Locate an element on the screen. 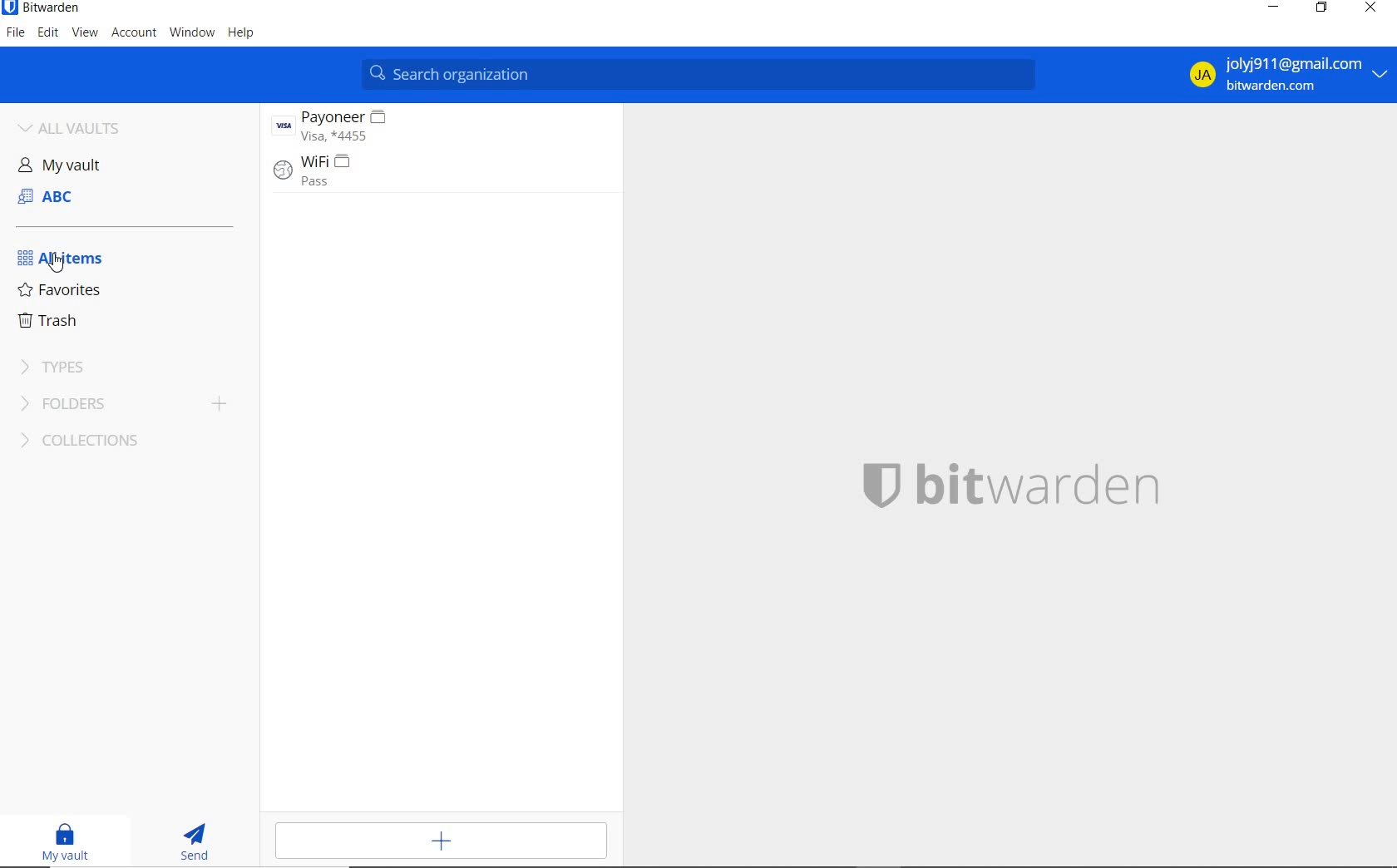 This screenshot has width=1397, height=868. My vault is located at coordinates (74, 164).